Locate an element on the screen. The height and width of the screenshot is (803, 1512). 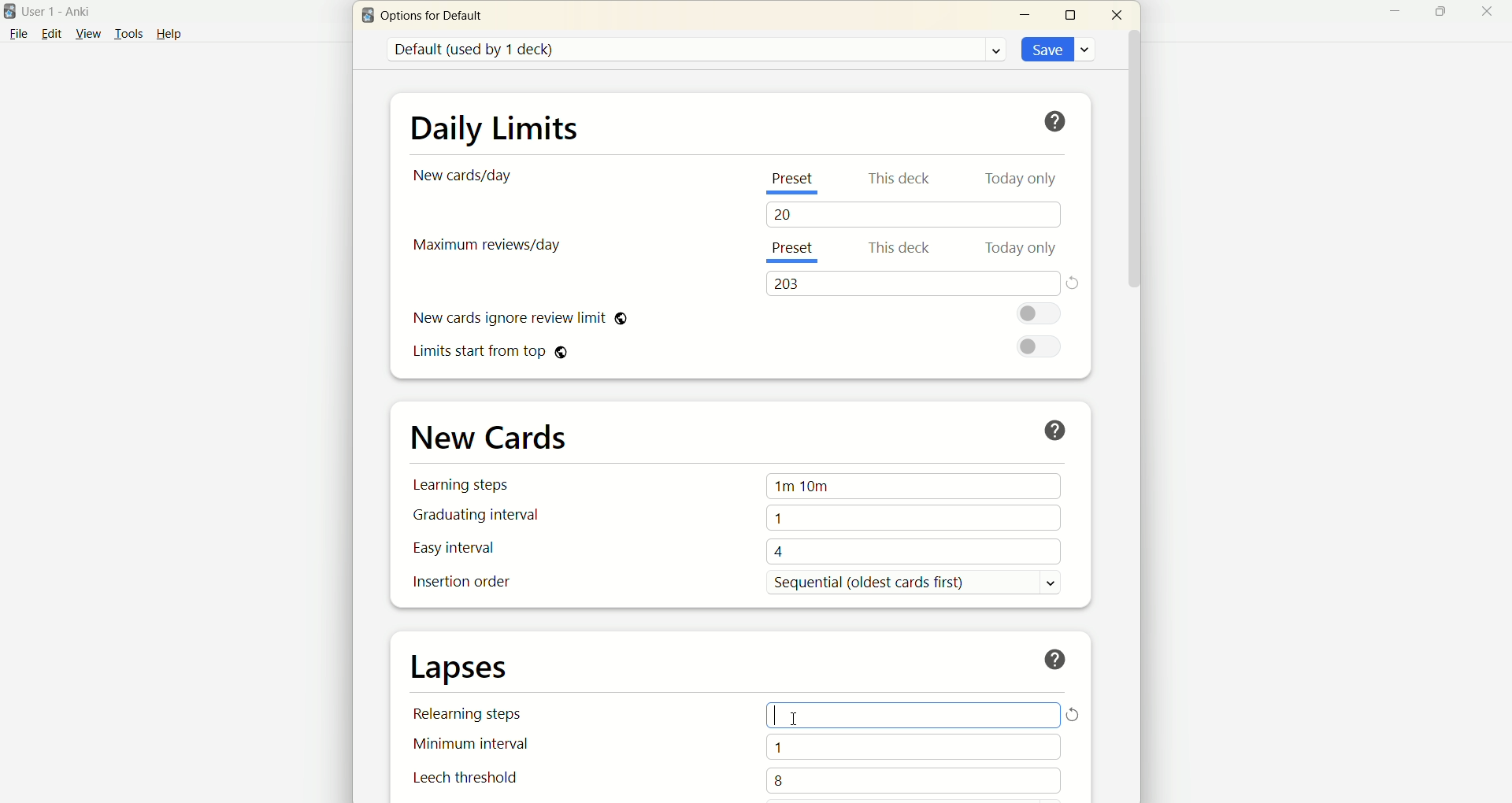
maximum reviews/day is located at coordinates (490, 248).